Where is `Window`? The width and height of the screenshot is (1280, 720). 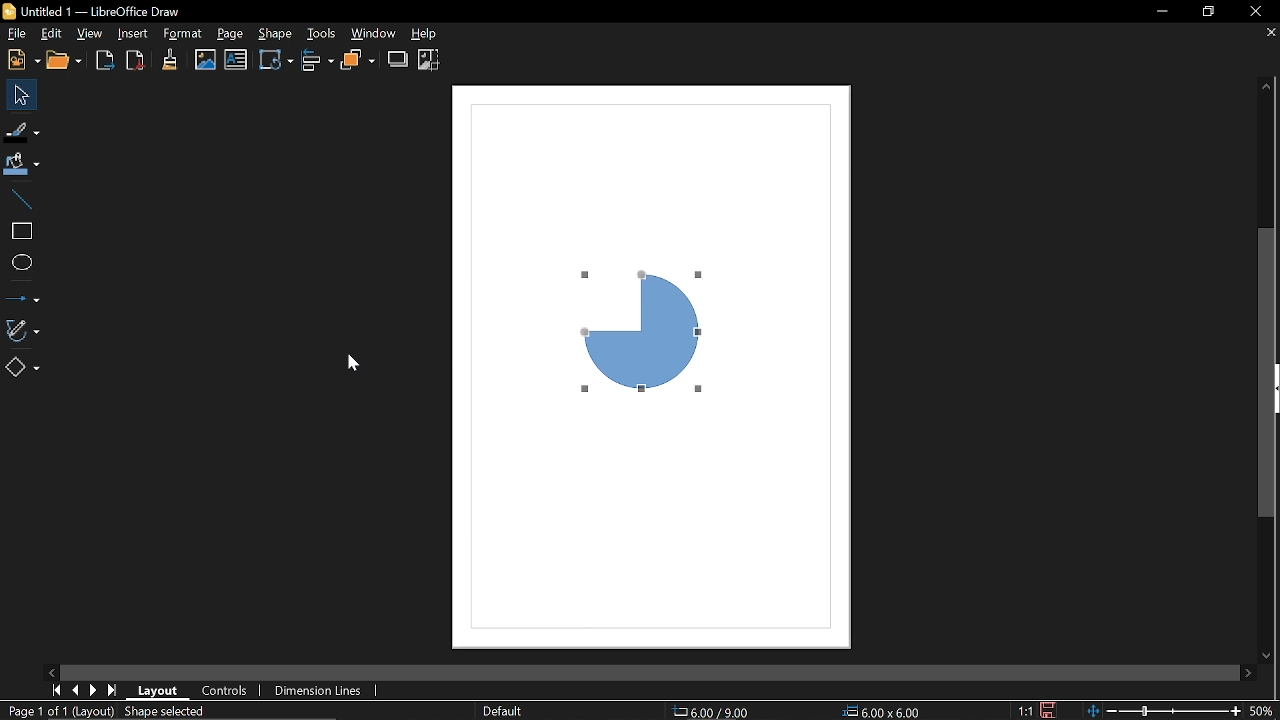 Window is located at coordinates (374, 34).